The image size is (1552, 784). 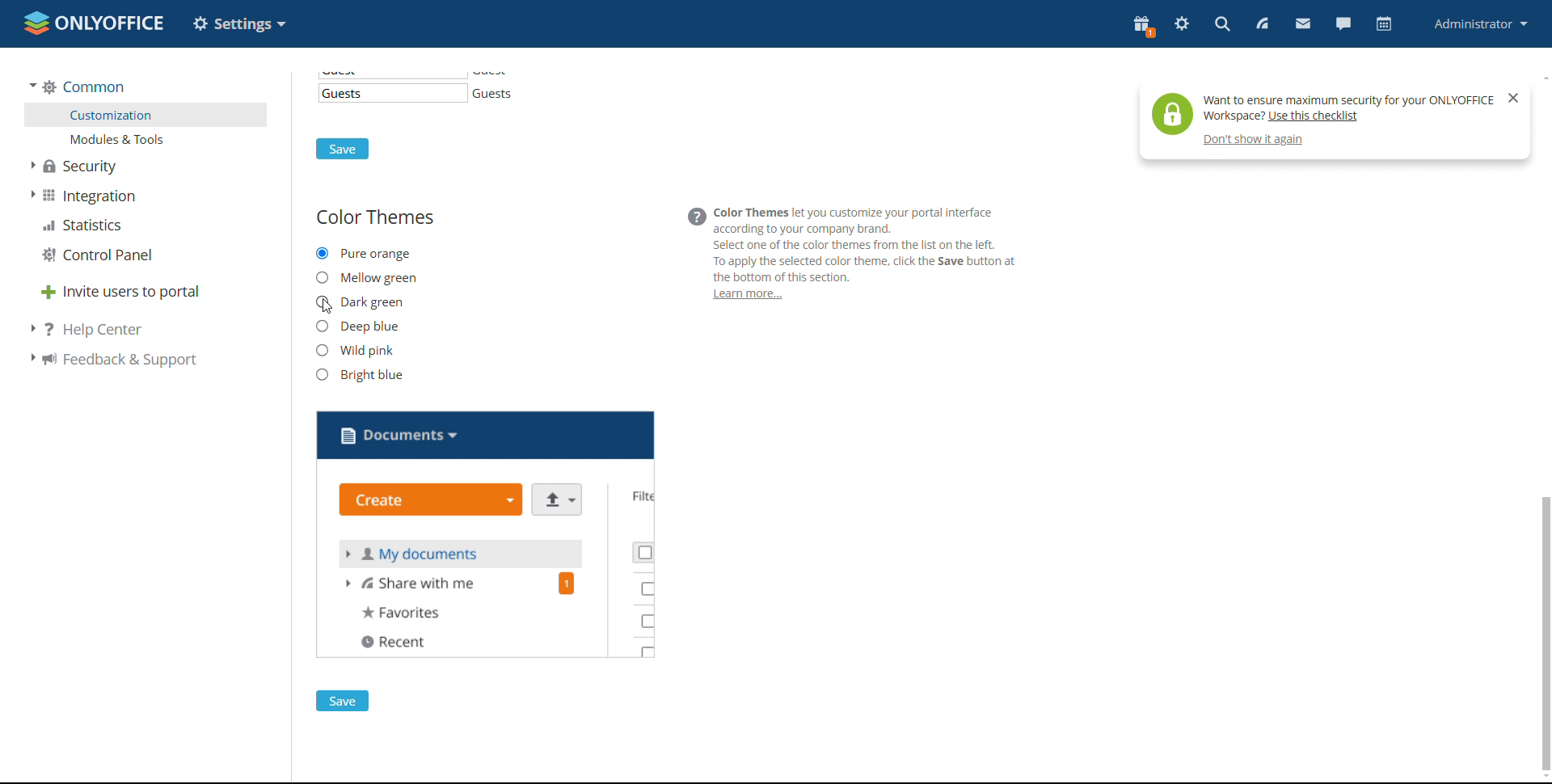 What do you see at coordinates (1542, 75) in the screenshot?
I see `scroll up` at bounding box center [1542, 75].